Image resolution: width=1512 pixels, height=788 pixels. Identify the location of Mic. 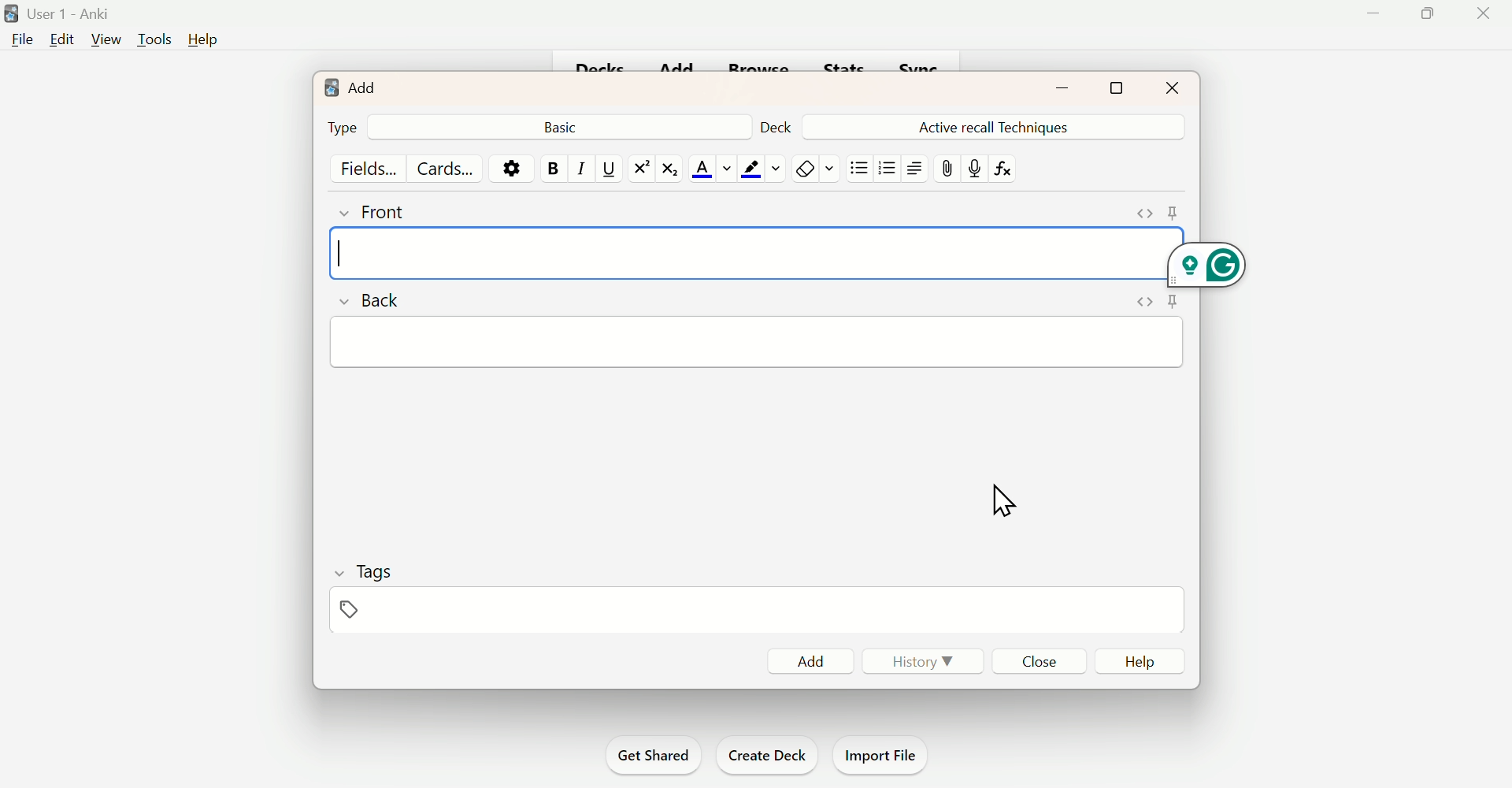
(976, 167).